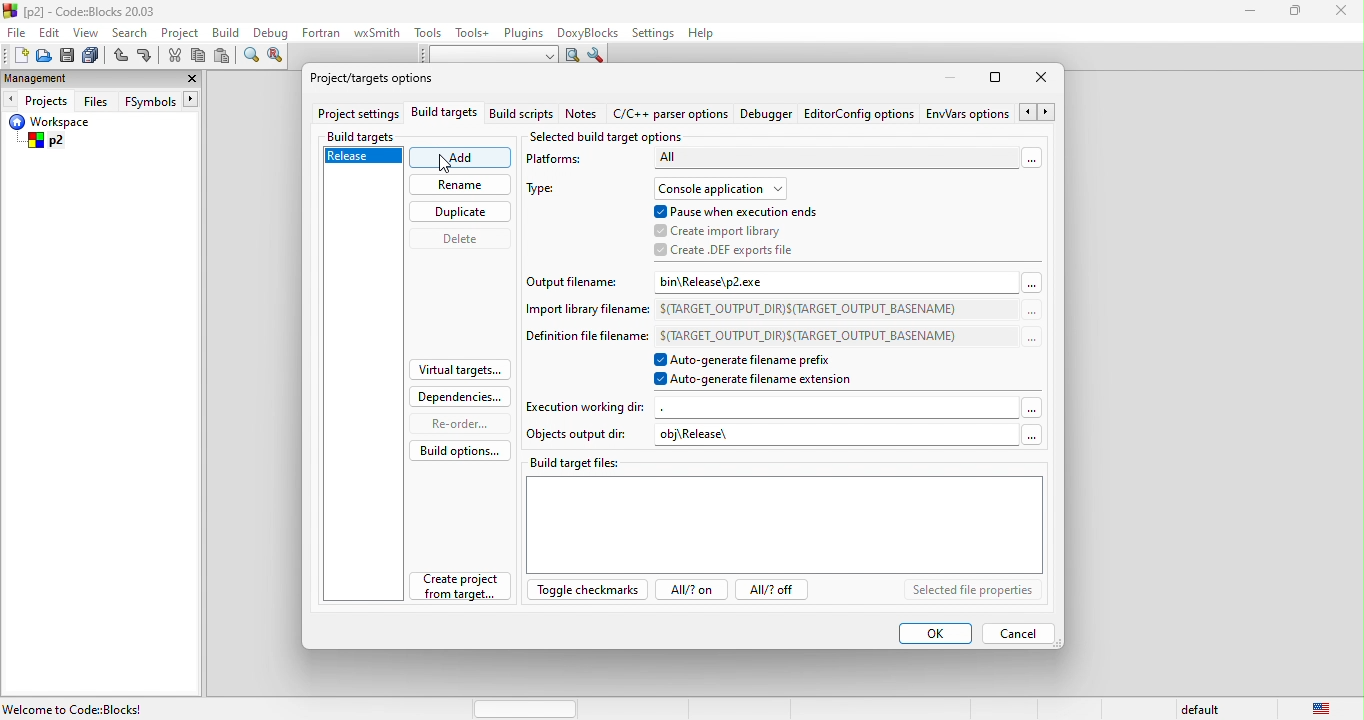 This screenshot has width=1364, height=720. I want to click on default, so click(1197, 709).